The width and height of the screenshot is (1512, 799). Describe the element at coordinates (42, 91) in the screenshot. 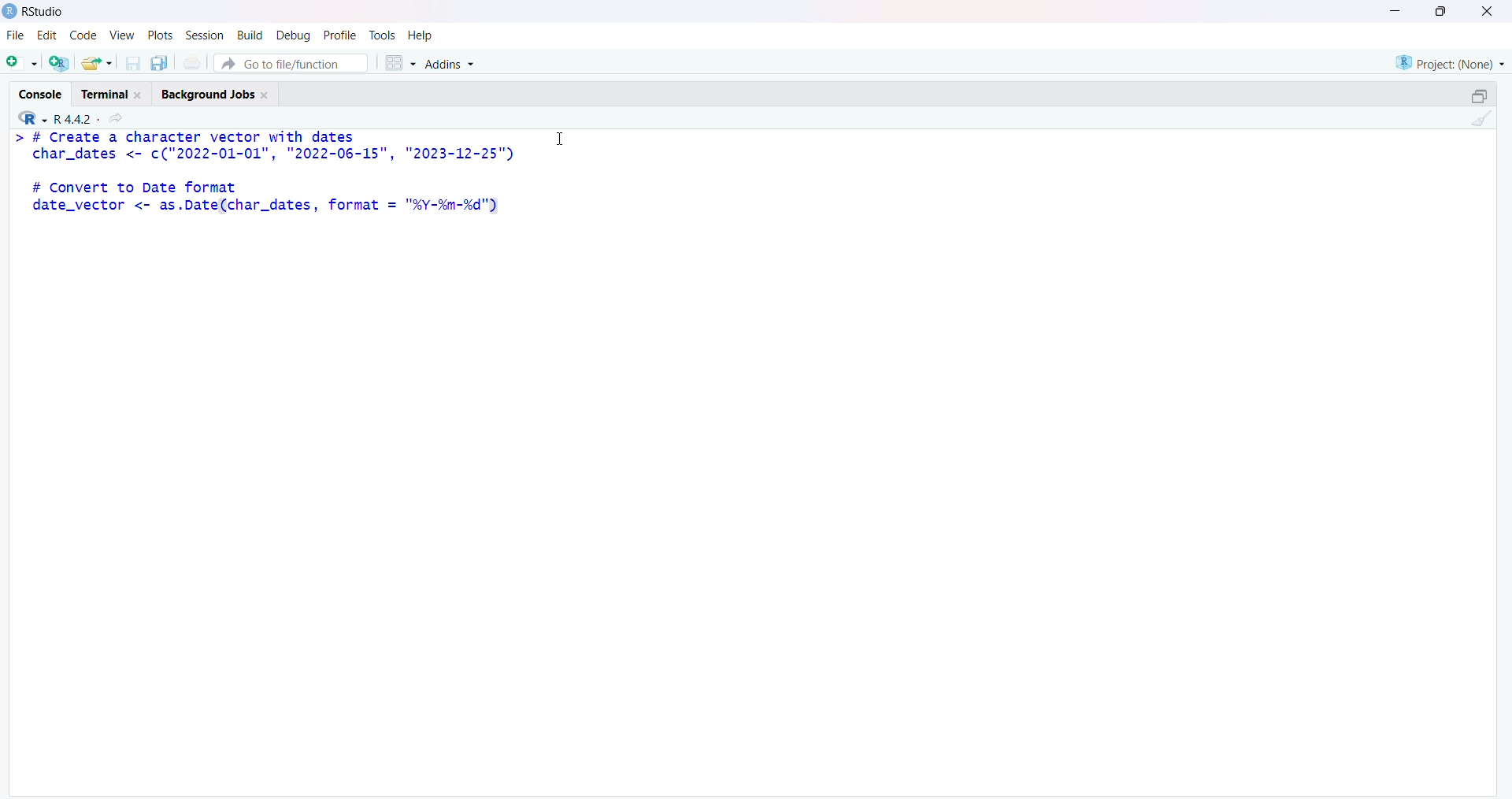

I see `Console` at that location.